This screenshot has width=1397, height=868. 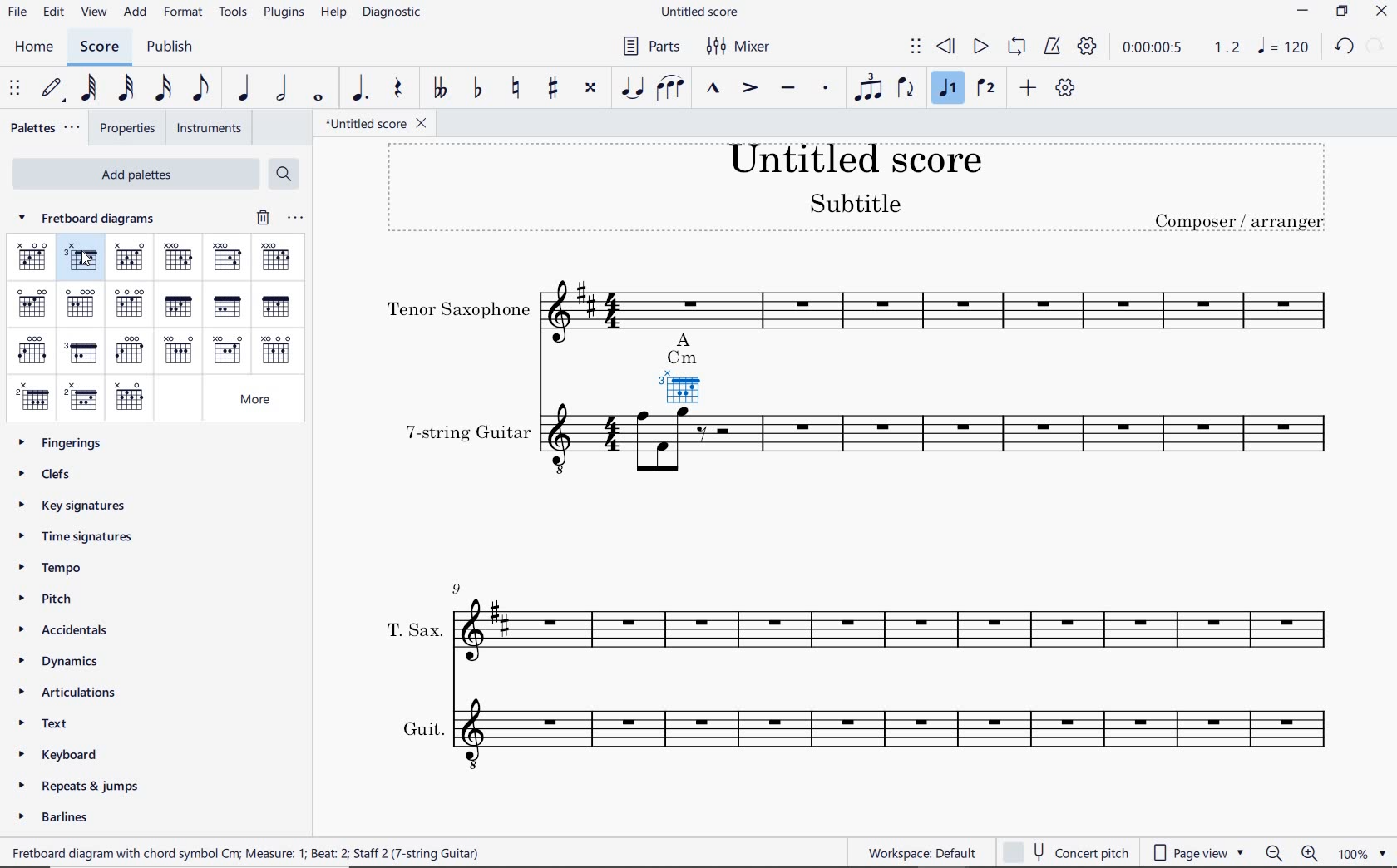 I want to click on EM, so click(x=80, y=303).